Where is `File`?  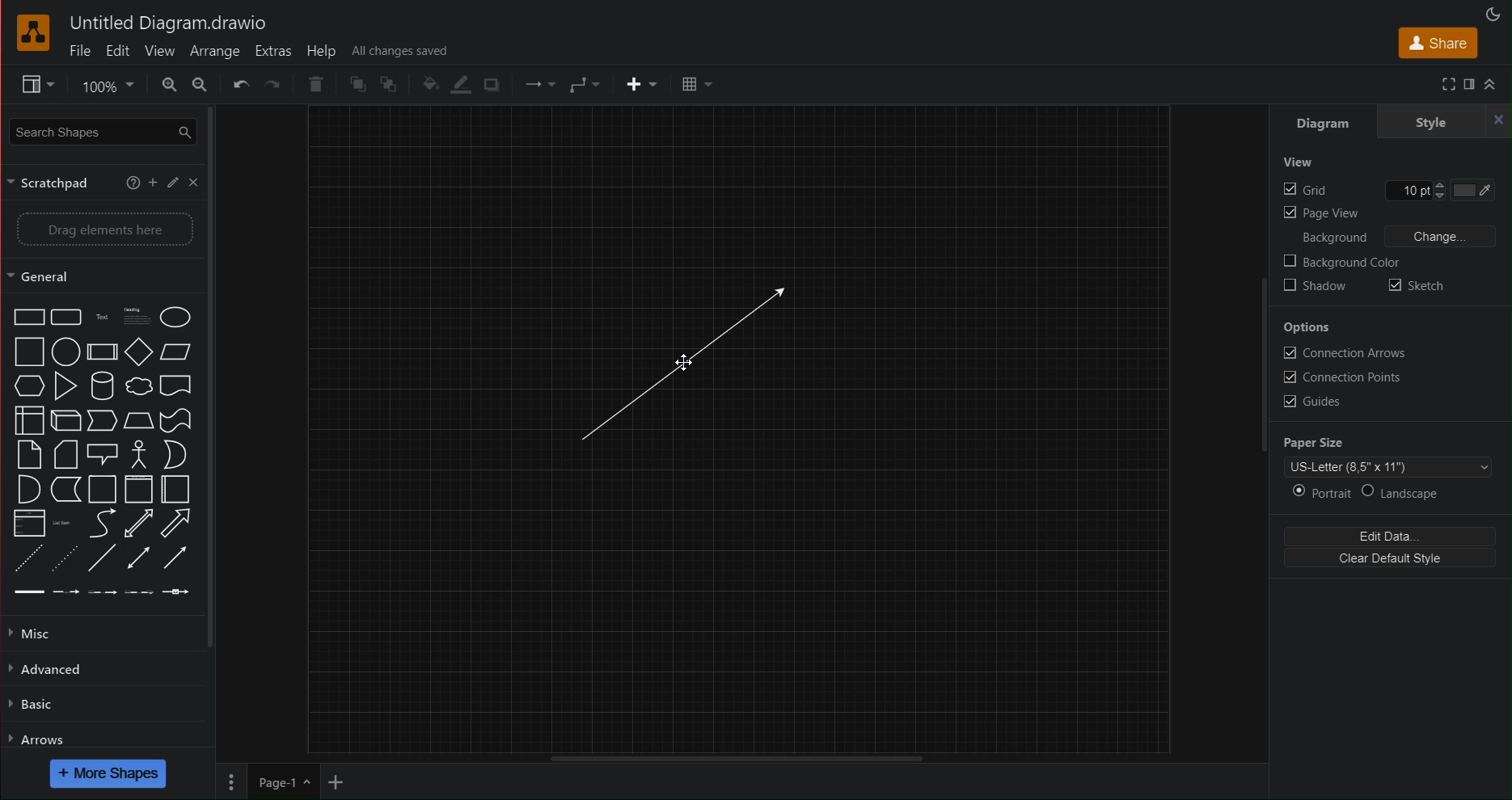 File is located at coordinates (80, 52).